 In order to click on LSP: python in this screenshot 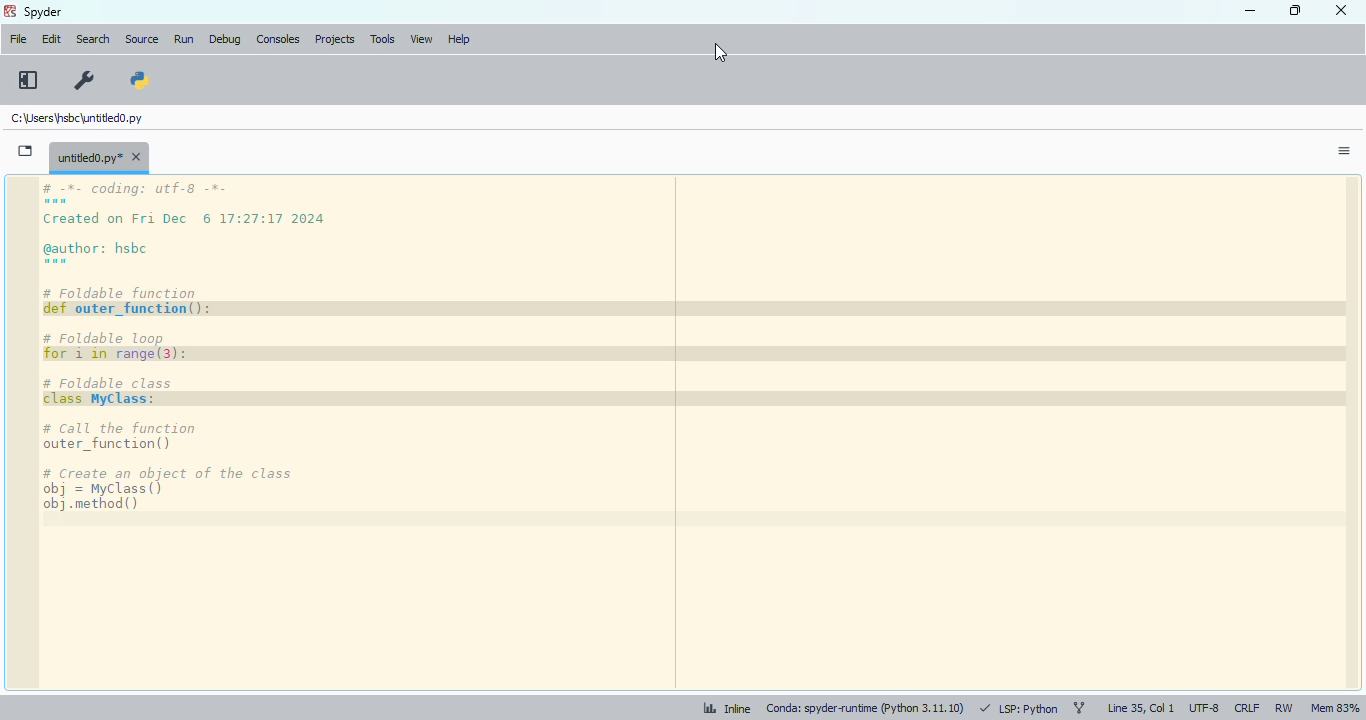, I will do `click(1020, 708)`.